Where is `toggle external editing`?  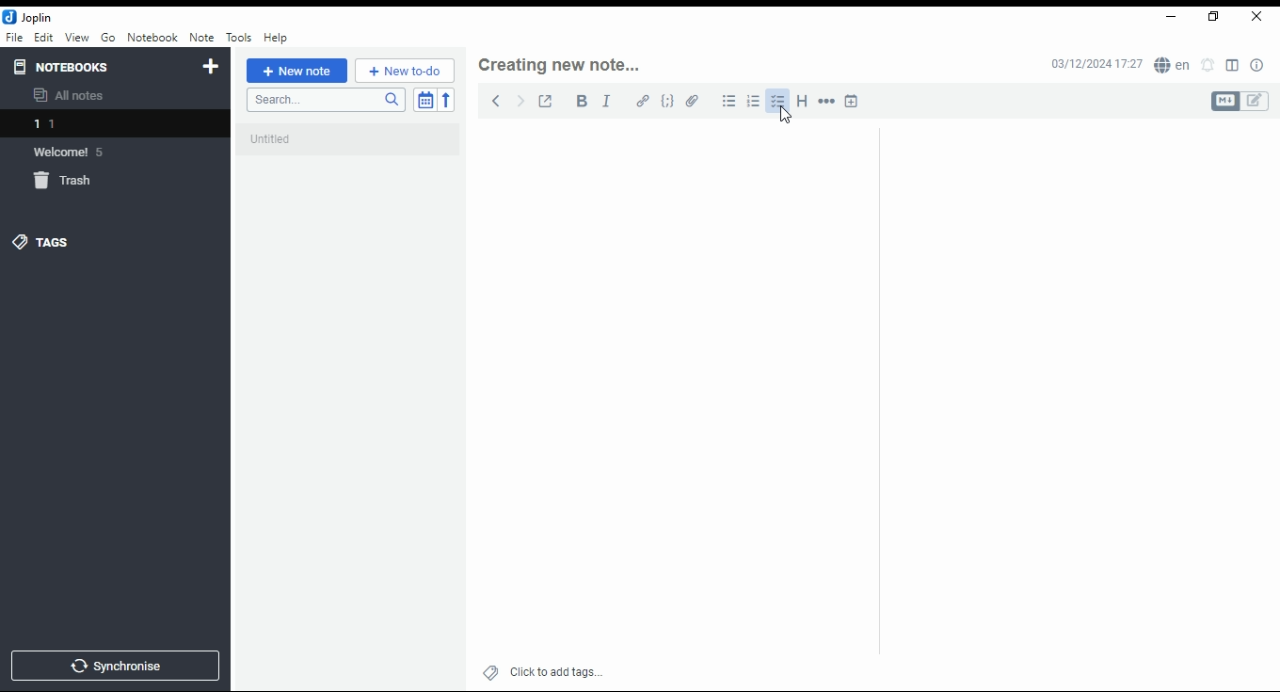 toggle external editing is located at coordinates (545, 101).